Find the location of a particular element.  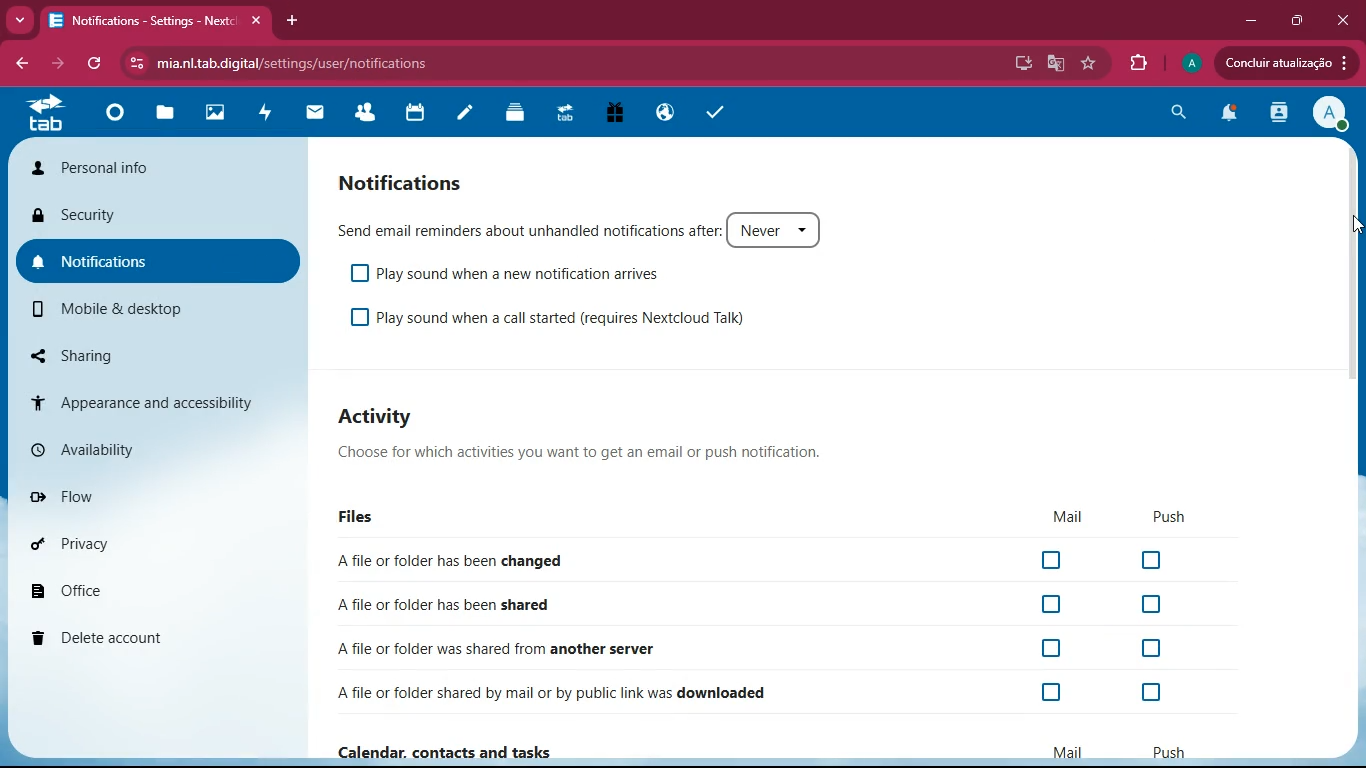

off is located at coordinates (1056, 644).